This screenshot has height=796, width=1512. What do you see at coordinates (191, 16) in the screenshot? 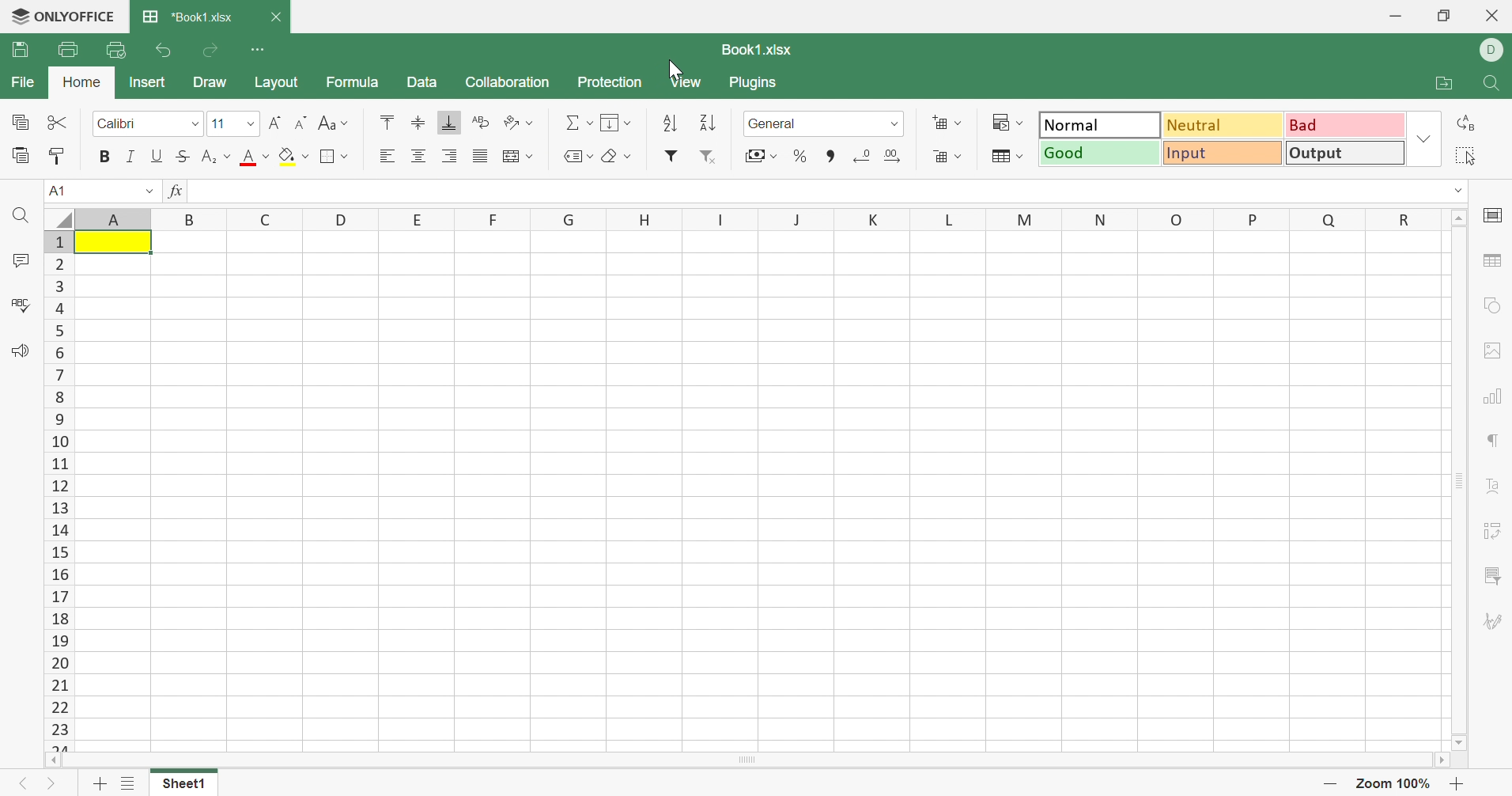
I see `*Book1.xlsx` at bounding box center [191, 16].